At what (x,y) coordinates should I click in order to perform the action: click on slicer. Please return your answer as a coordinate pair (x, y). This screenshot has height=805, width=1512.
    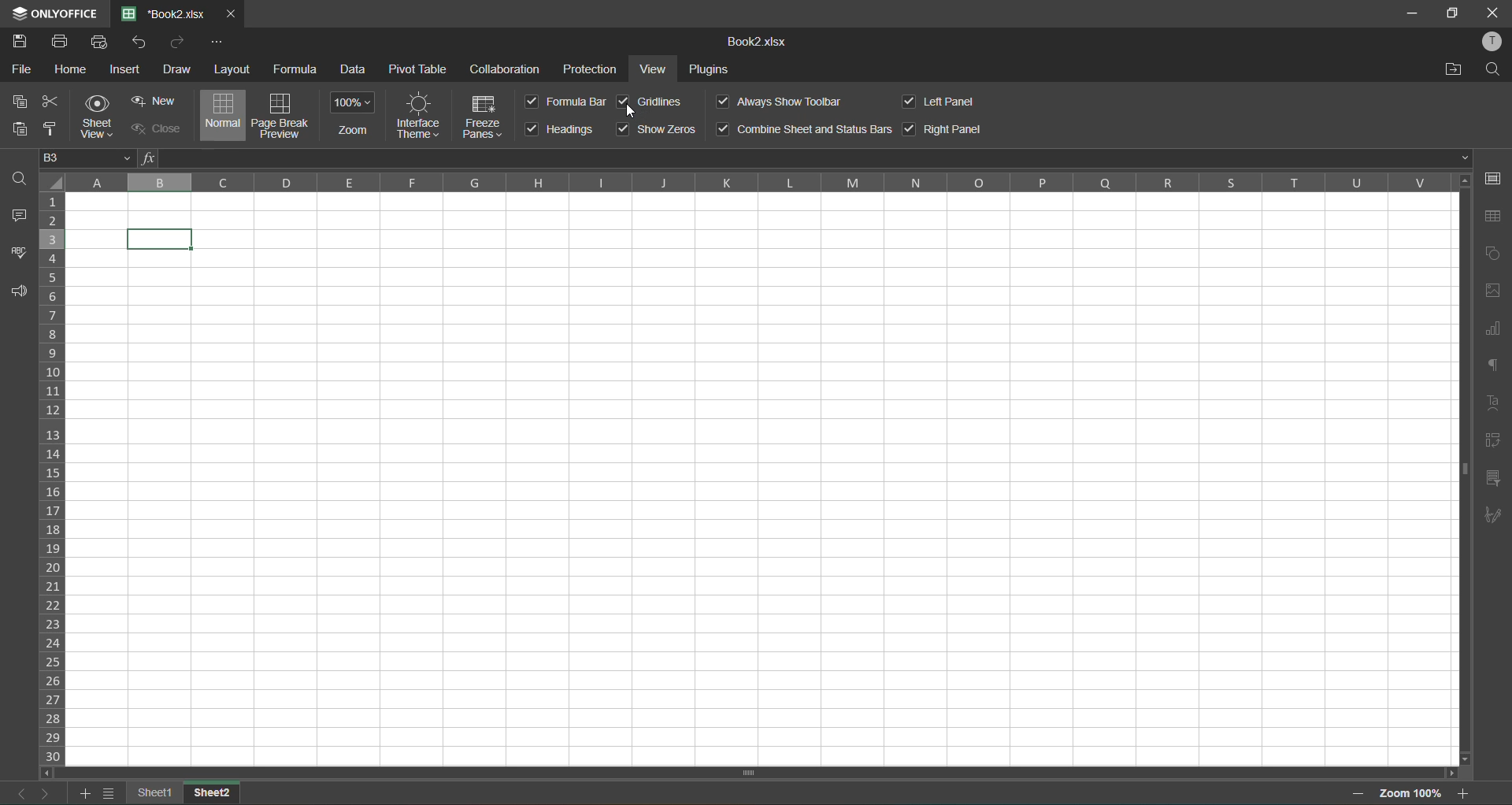
    Looking at the image, I should click on (1492, 480).